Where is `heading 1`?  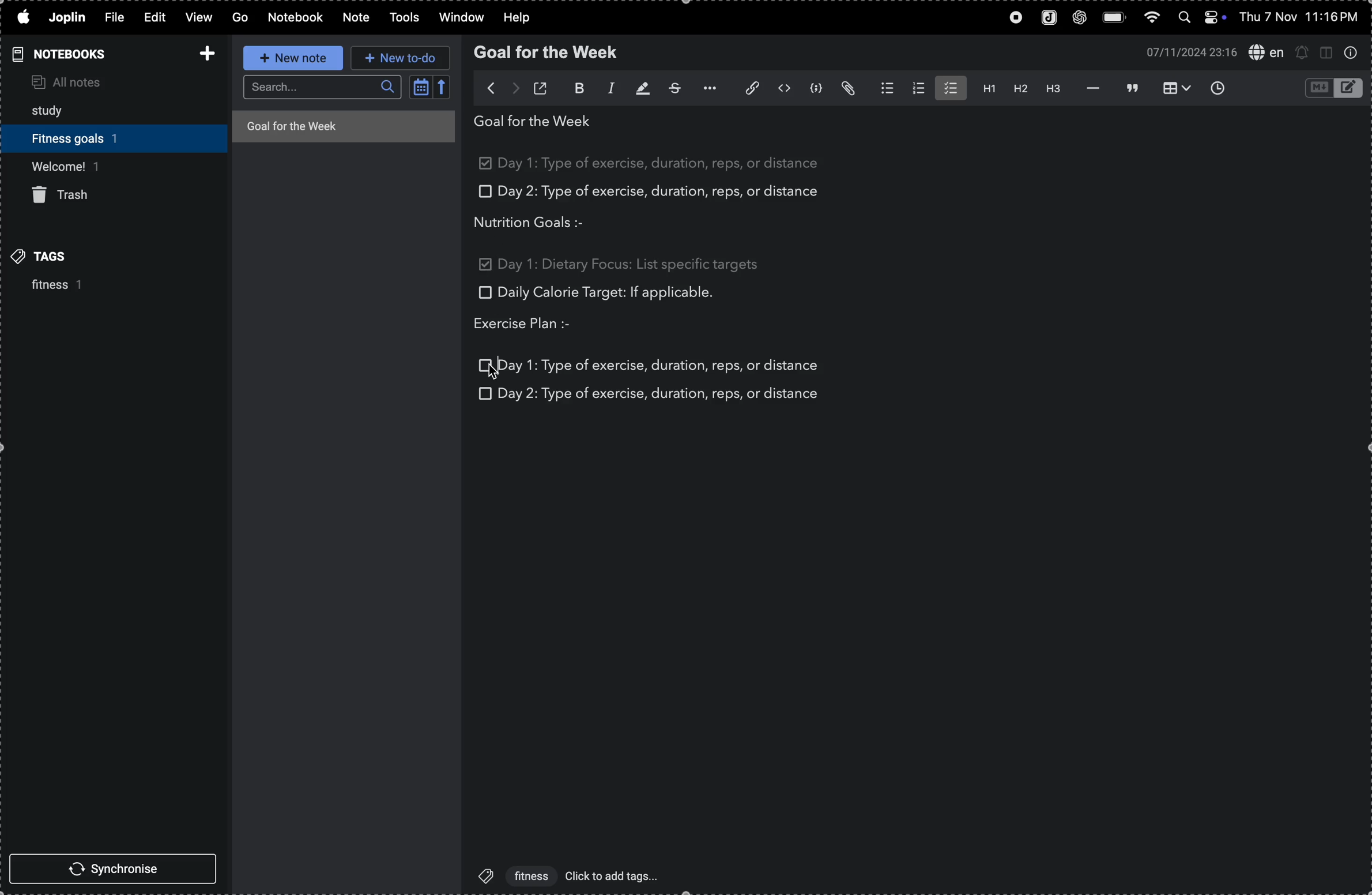
heading 1 is located at coordinates (985, 89).